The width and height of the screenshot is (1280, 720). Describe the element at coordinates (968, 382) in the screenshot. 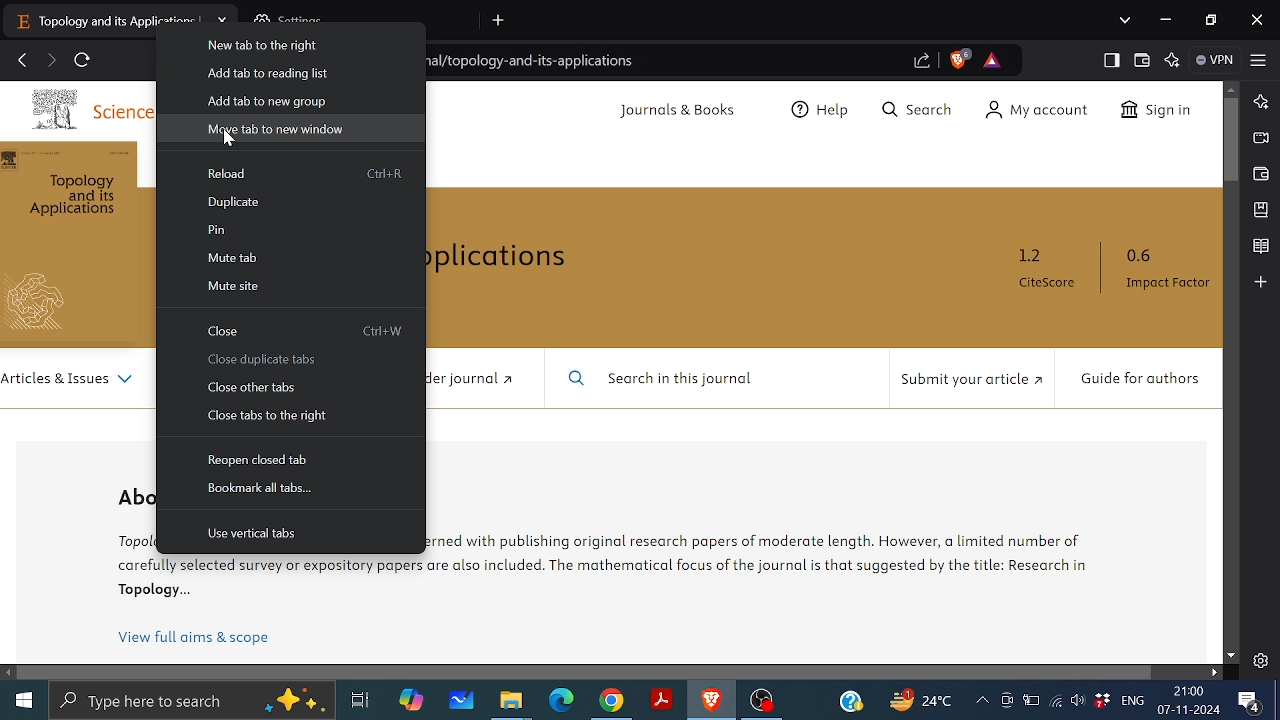

I see `Submit your article »` at that location.